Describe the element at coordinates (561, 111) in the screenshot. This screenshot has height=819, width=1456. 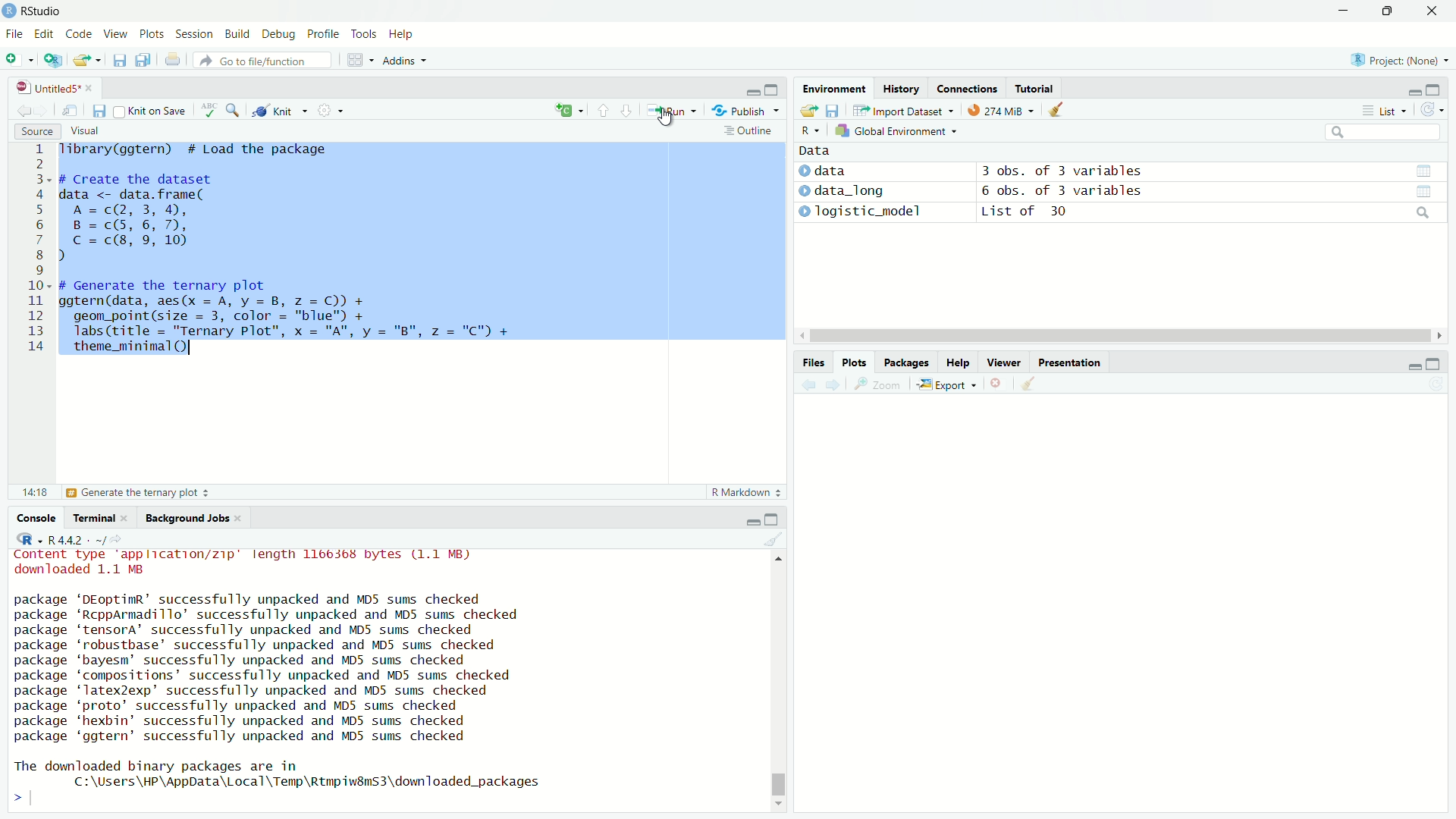
I see `add` at that location.